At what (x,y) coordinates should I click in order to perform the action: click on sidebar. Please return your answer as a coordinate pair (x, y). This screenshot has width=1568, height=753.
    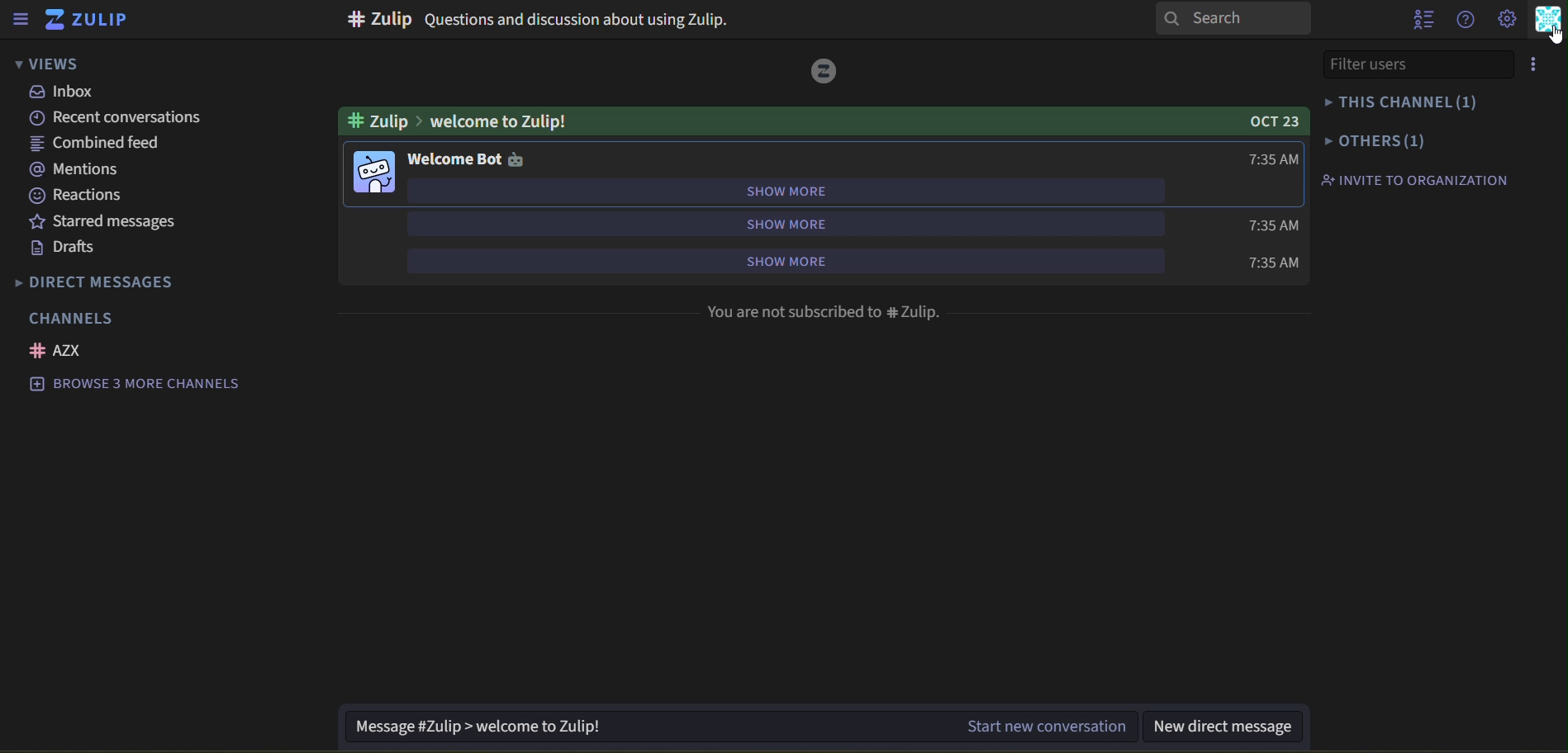
    Looking at the image, I should click on (23, 19).